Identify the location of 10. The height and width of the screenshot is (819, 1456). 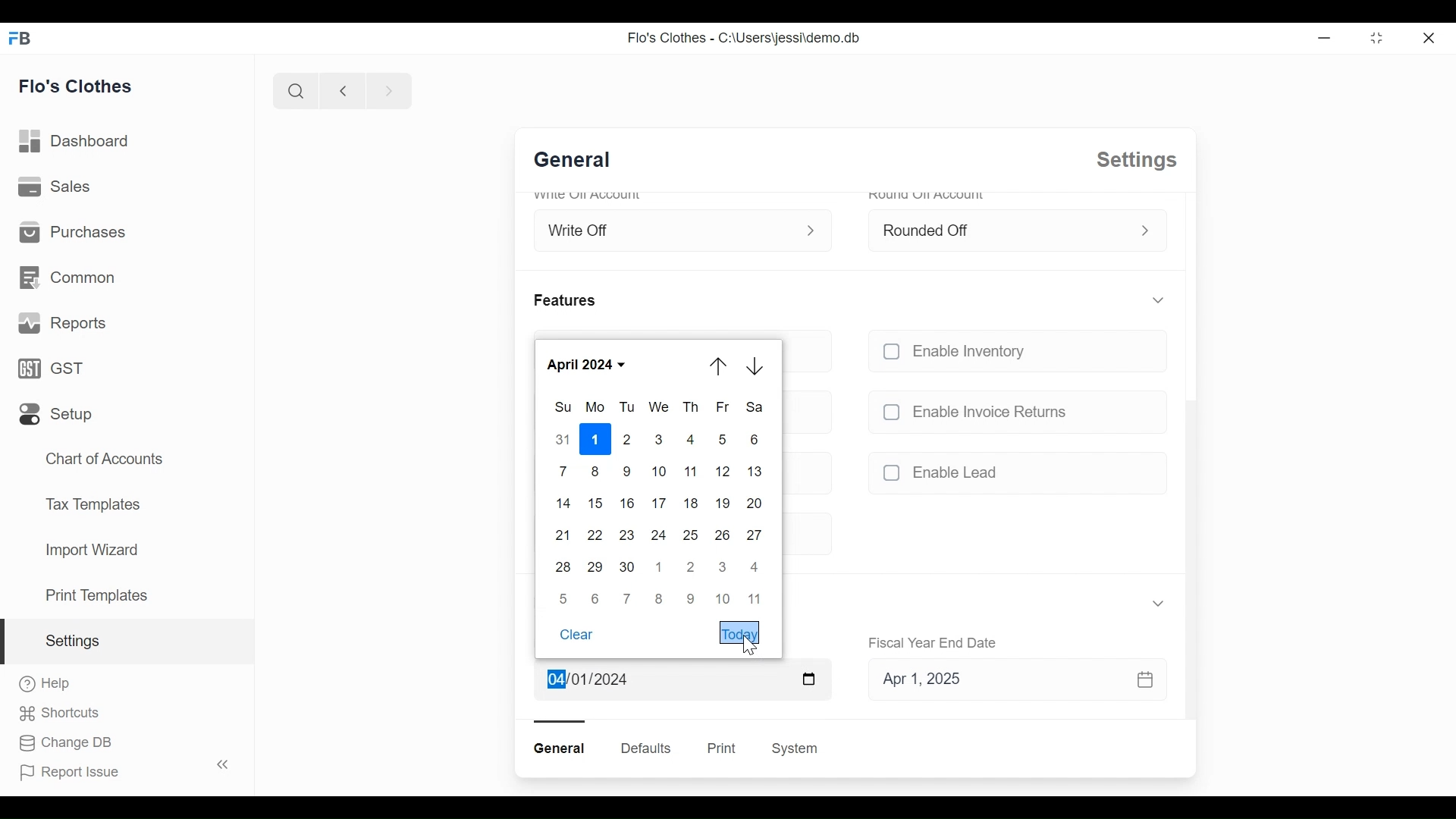
(722, 598).